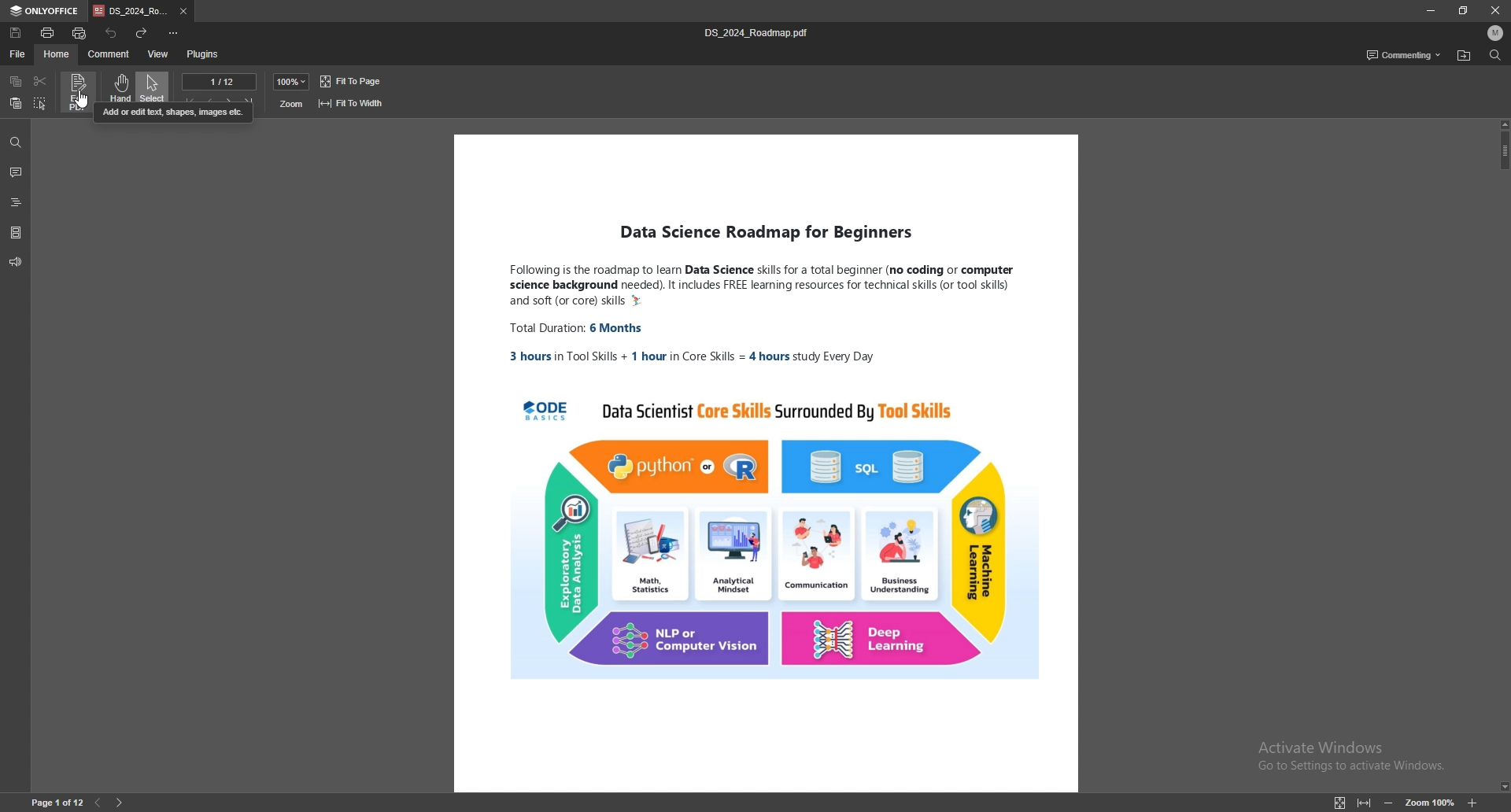 This screenshot has height=812, width=1511. Describe the element at coordinates (111, 32) in the screenshot. I see `undo` at that location.